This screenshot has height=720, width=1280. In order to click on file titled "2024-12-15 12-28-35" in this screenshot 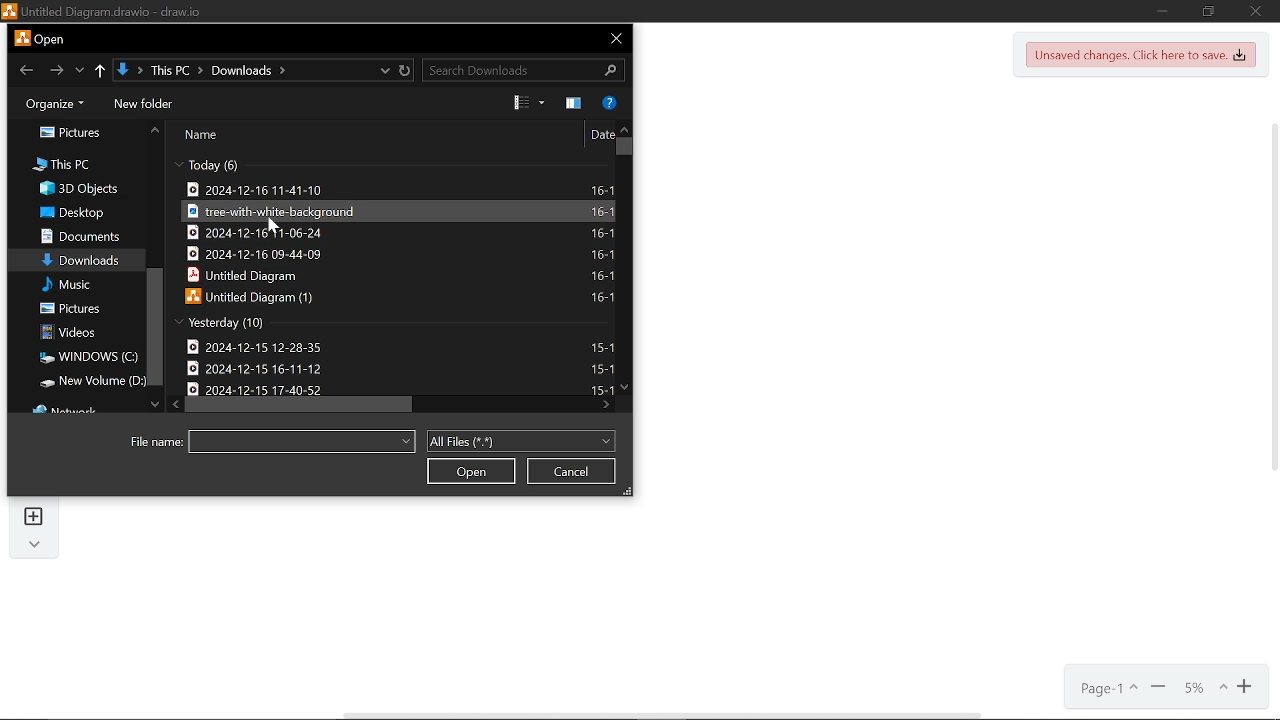, I will do `click(396, 346)`.